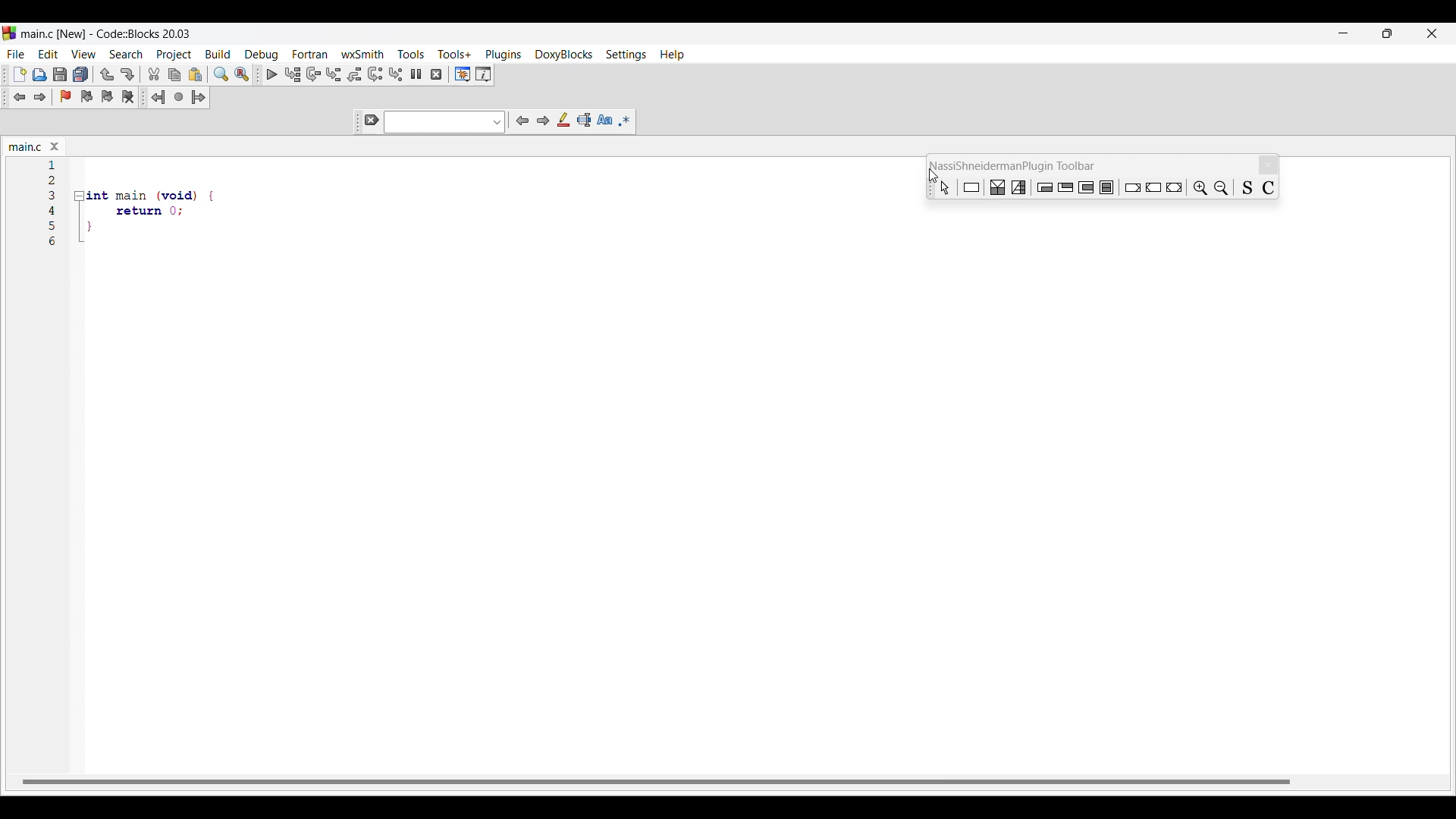 Image resolution: width=1456 pixels, height=819 pixels. Describe the element at coordinates (174, 55) in the screenshot. I see `Project menu` at that location.